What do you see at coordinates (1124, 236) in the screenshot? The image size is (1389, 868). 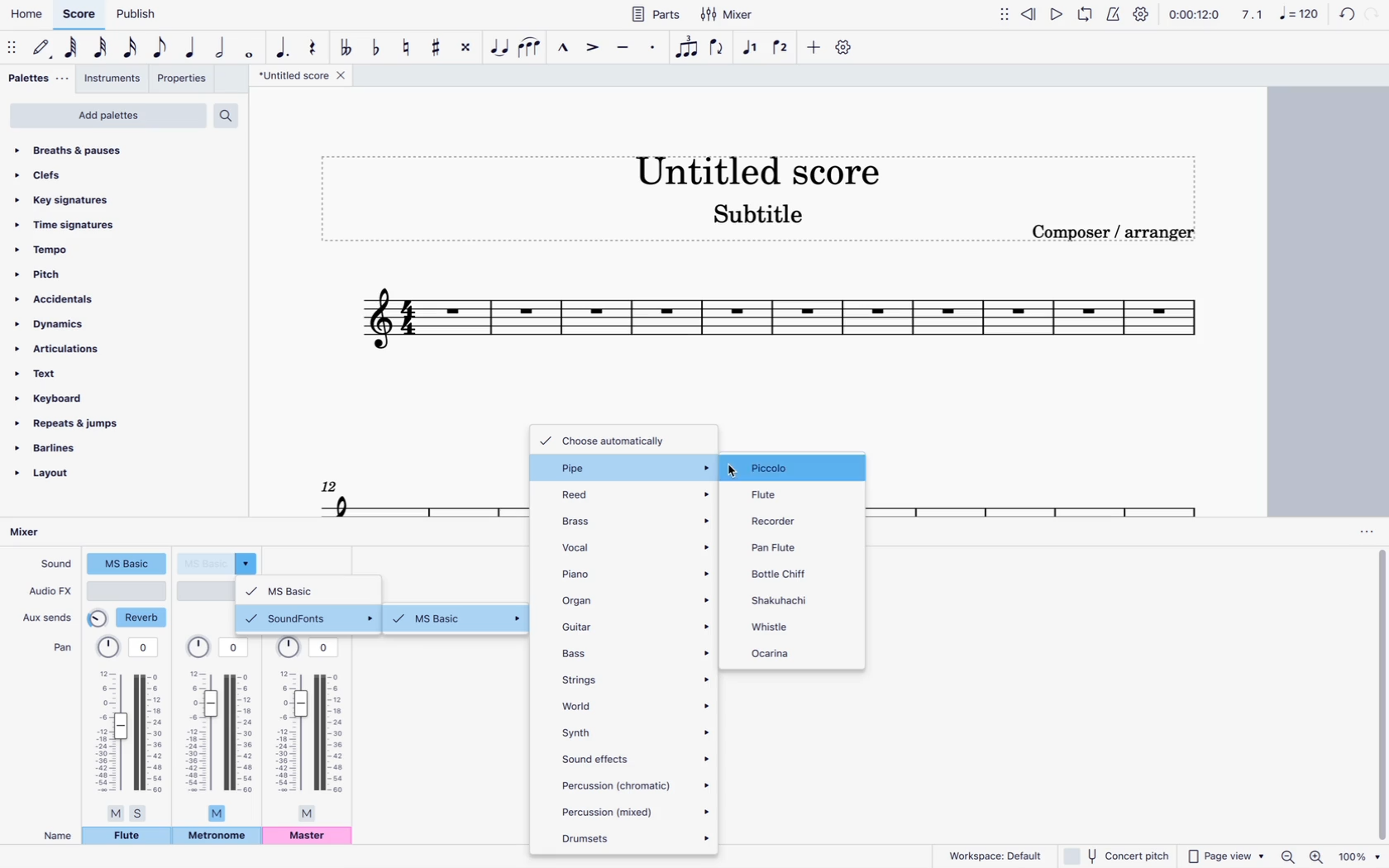 I see `composer / arranger` at bounding box center [1124, 236].